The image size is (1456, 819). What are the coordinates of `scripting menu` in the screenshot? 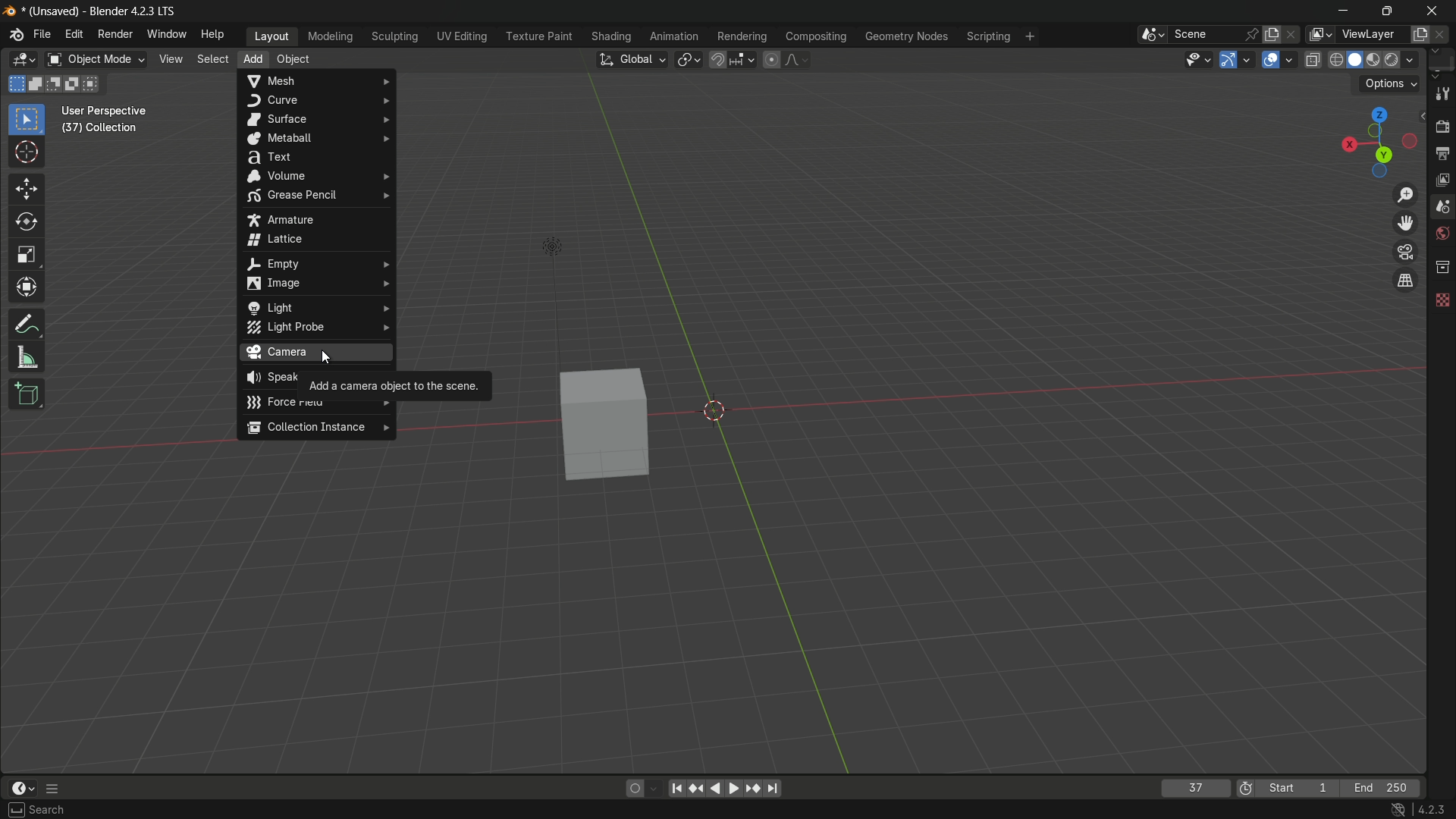 It's located at (988, 36).